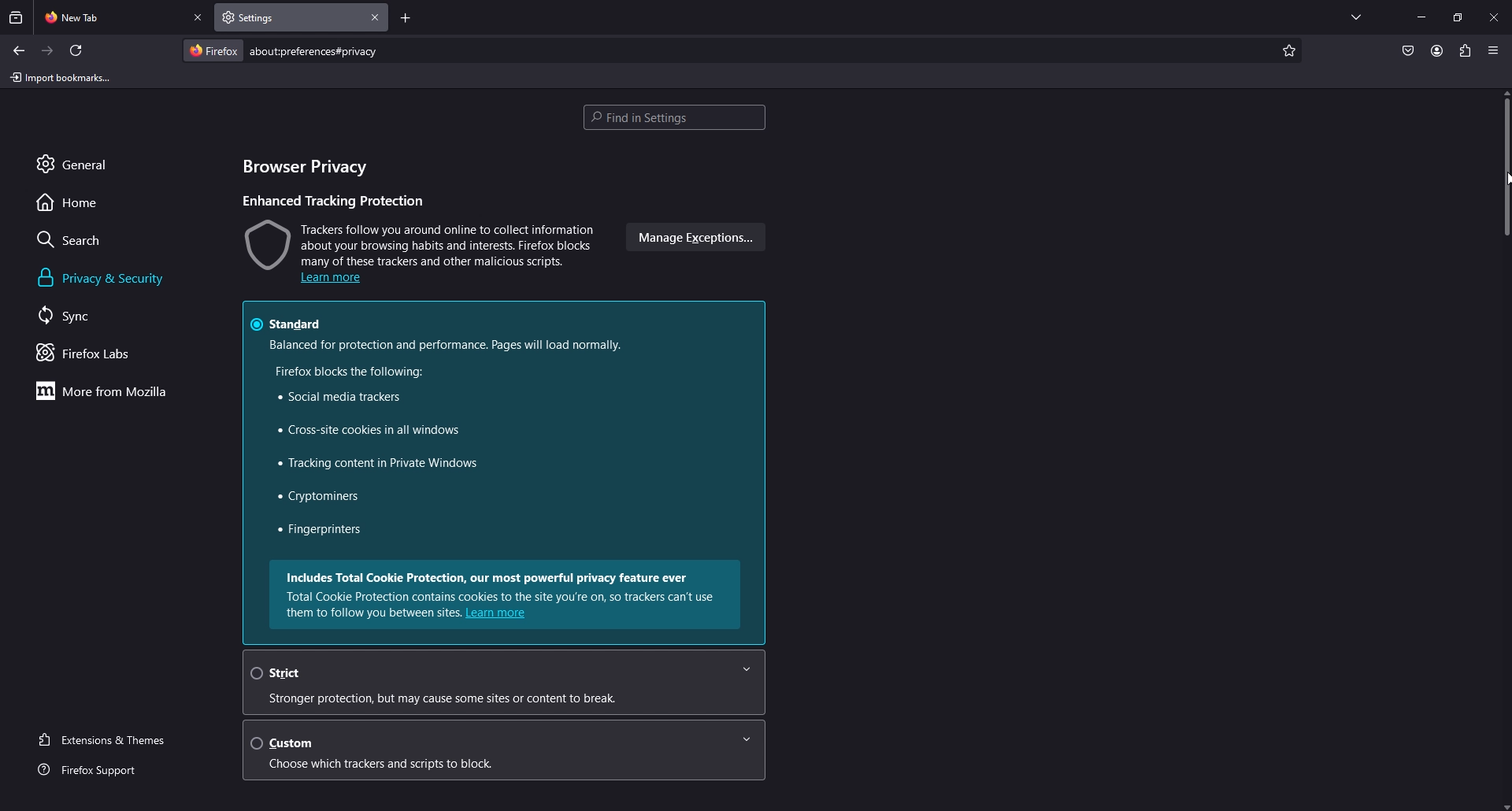 This screenshot has height=811, width=1512. I want to click on back, so click(18, 50).